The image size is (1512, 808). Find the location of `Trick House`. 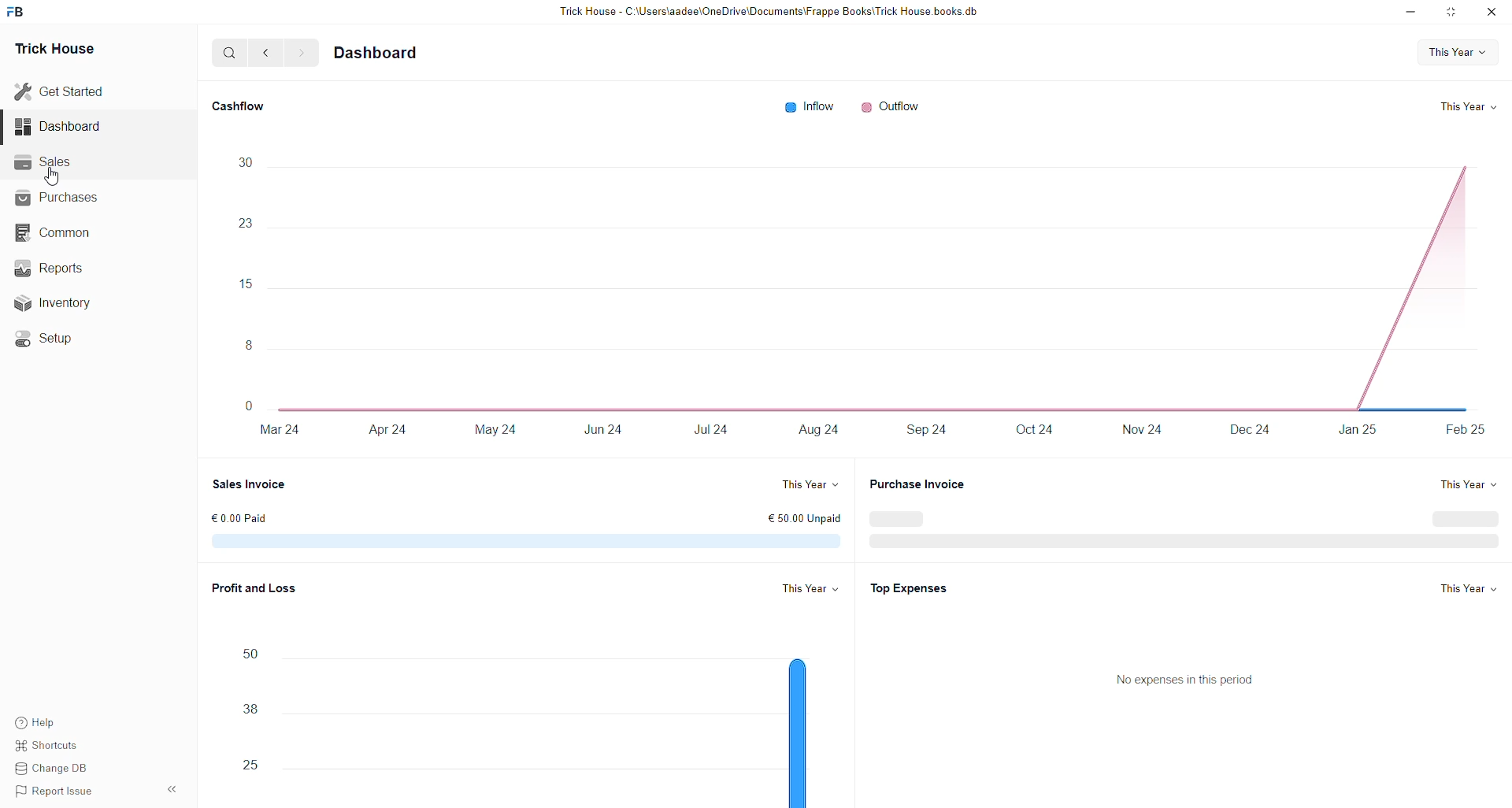

Trick House is located at coordinates (54, 50).